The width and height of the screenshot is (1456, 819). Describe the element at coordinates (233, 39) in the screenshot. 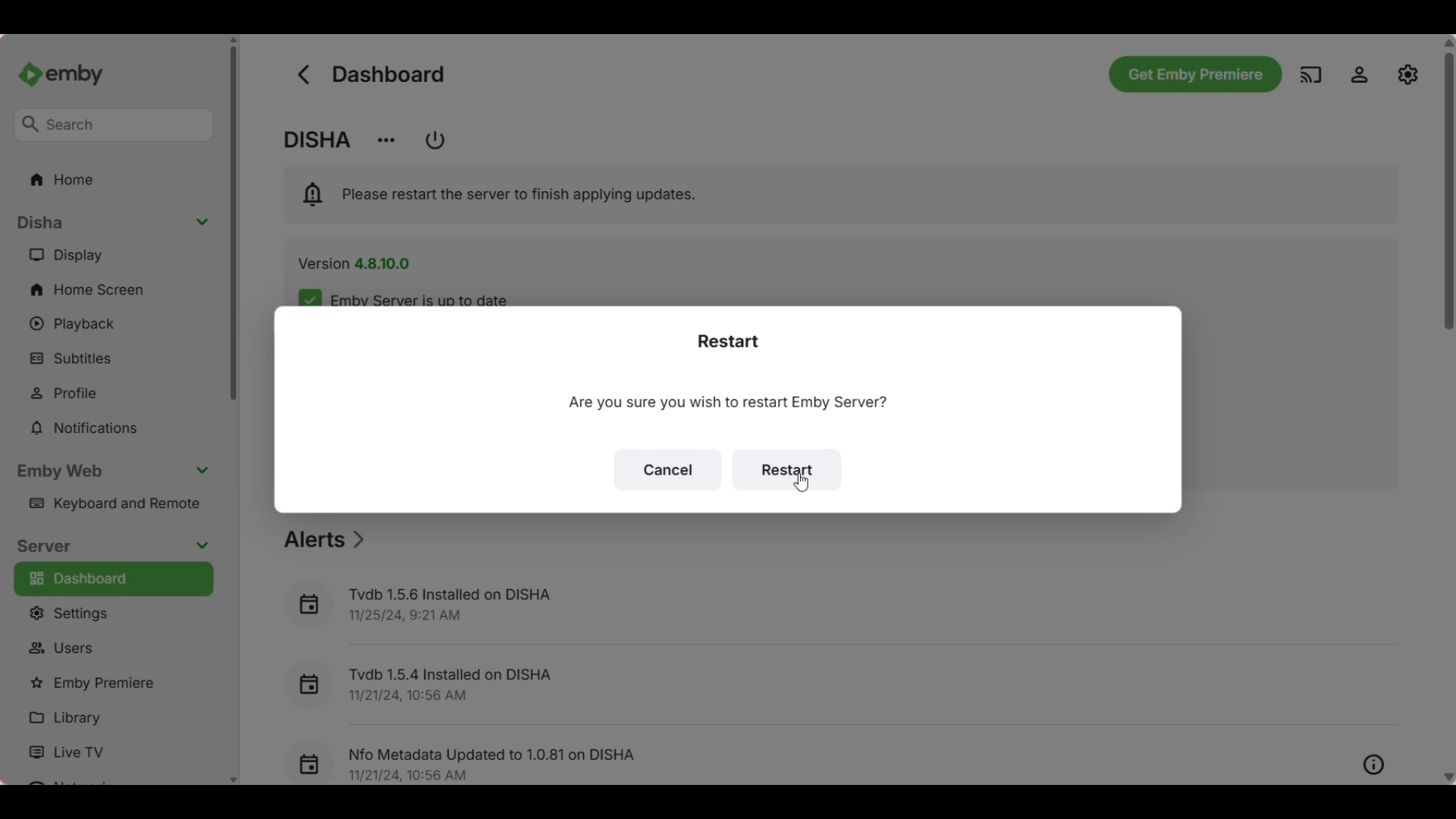

I see `Quick slide to top of left panel` at that location.